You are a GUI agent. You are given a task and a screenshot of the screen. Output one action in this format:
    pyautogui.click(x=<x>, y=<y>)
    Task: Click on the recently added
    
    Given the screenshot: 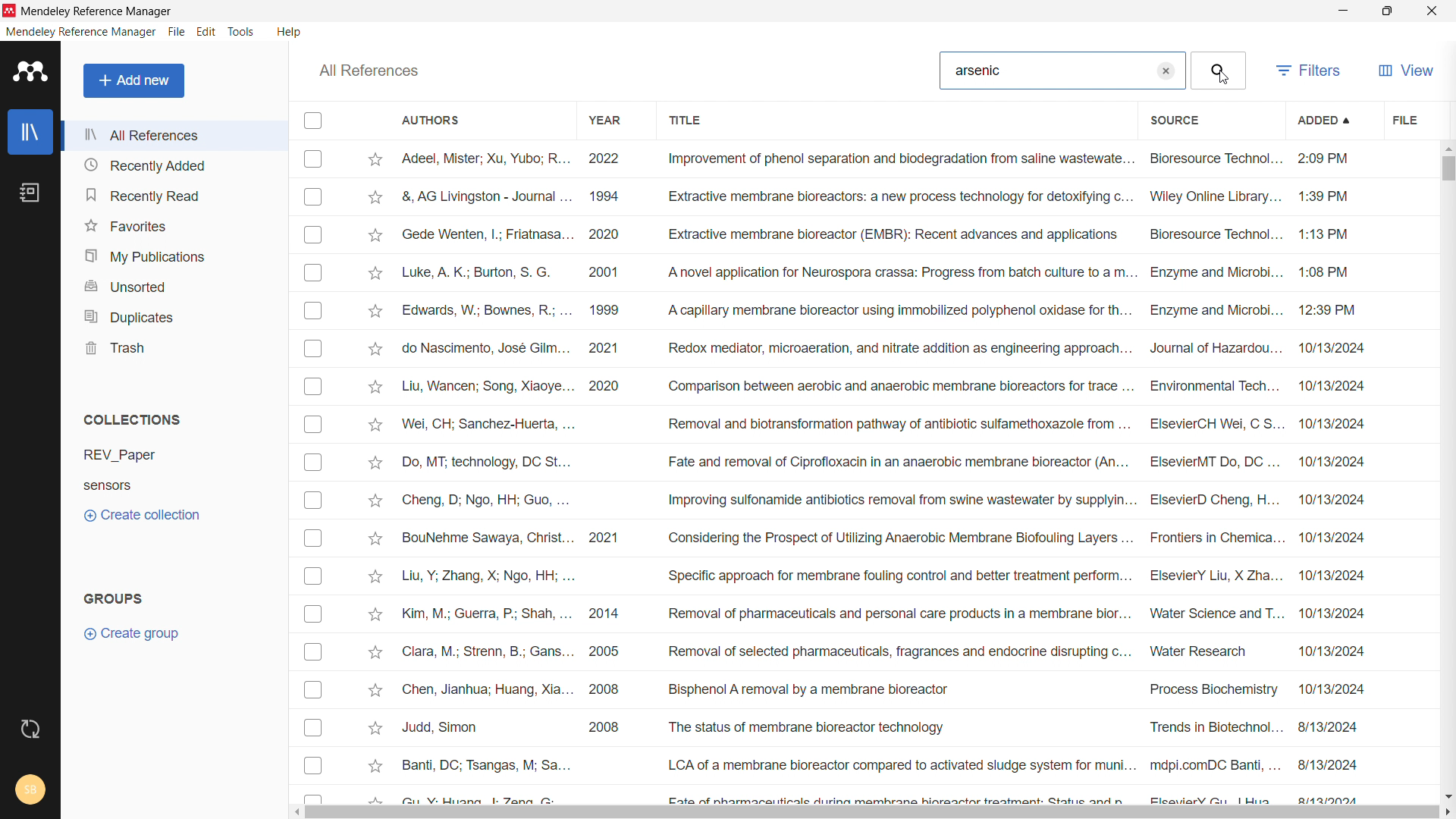 What is the action you would take?
    pyautogui.click(x=175, y=165)
    